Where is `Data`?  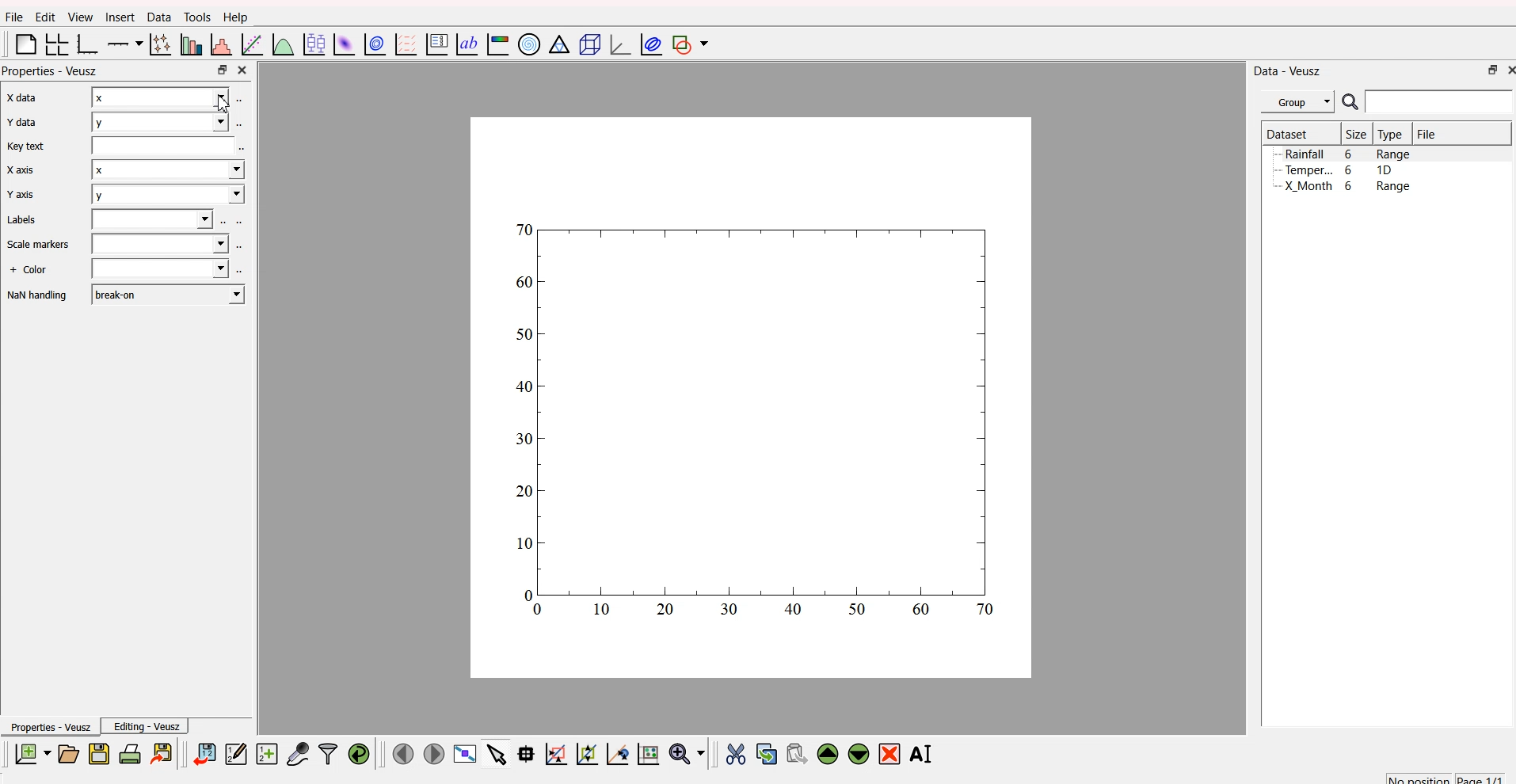 Data is located at coordinates (156, 18).